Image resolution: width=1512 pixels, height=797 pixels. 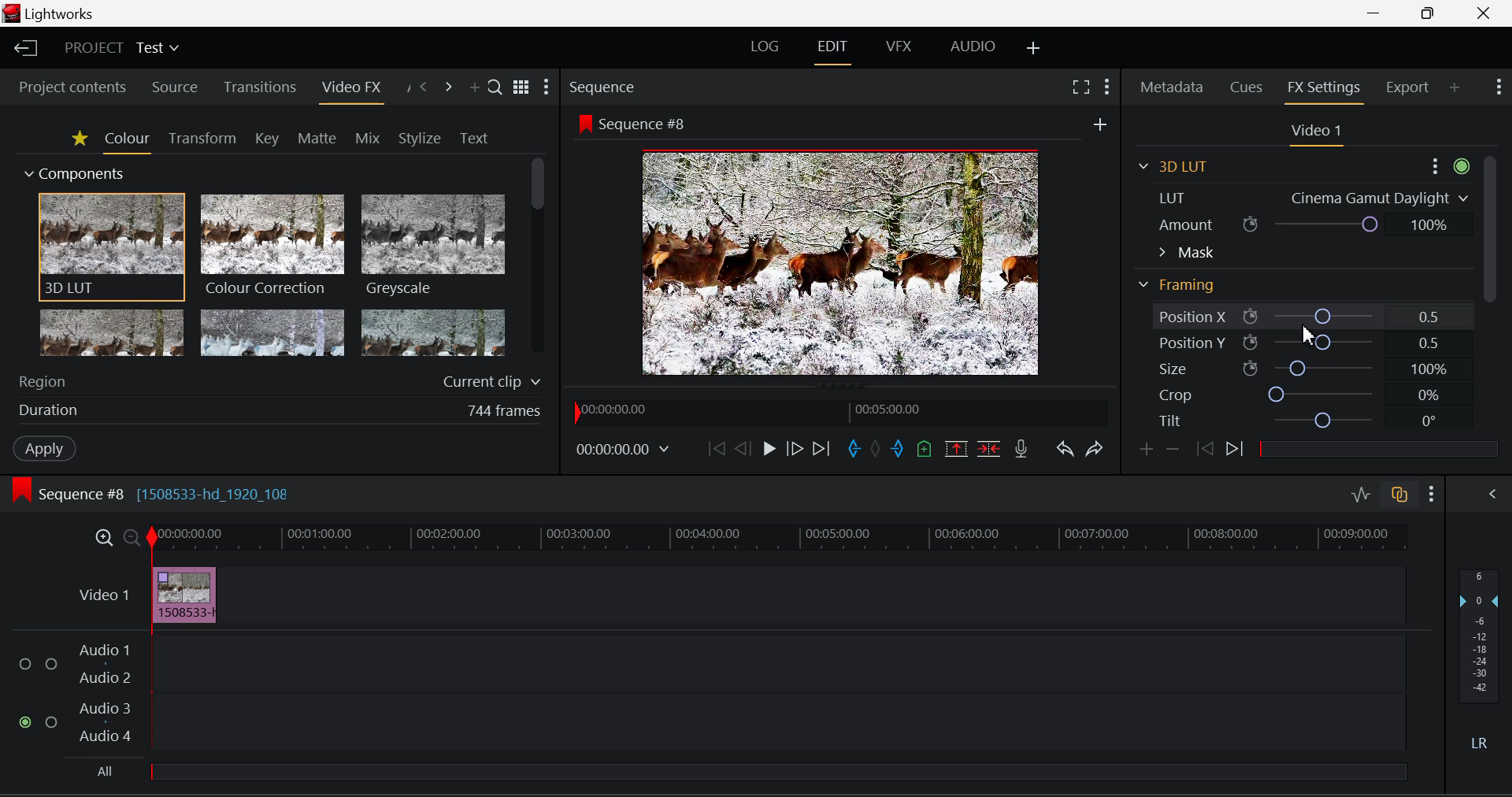 What do you see at coordinates (1173, 452) in the screenshot?
I see `Remove keyframe` at bounding box center [1173, 452].